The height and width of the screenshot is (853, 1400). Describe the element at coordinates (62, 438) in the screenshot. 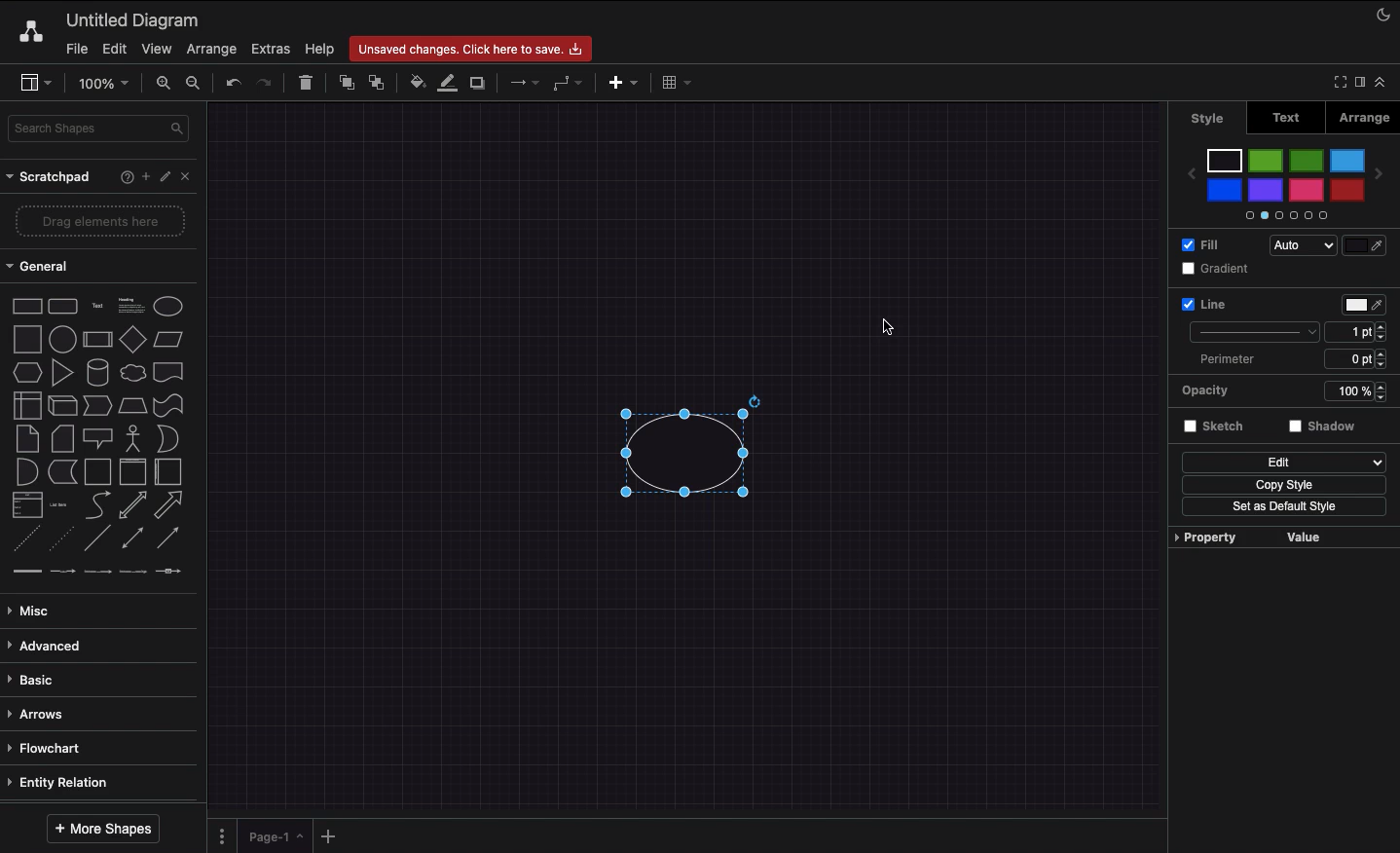

I see `Card` at that location.